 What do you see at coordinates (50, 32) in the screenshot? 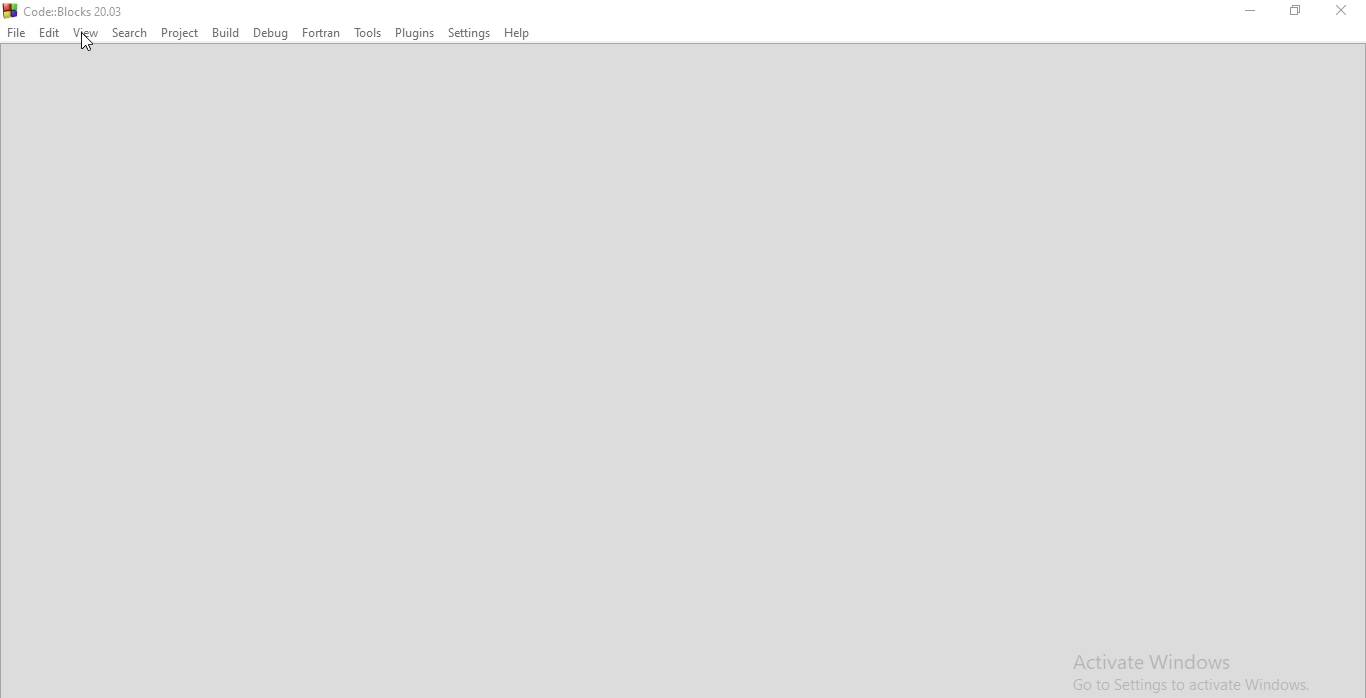
I see `Edit ` at bounding box center [50, 32].